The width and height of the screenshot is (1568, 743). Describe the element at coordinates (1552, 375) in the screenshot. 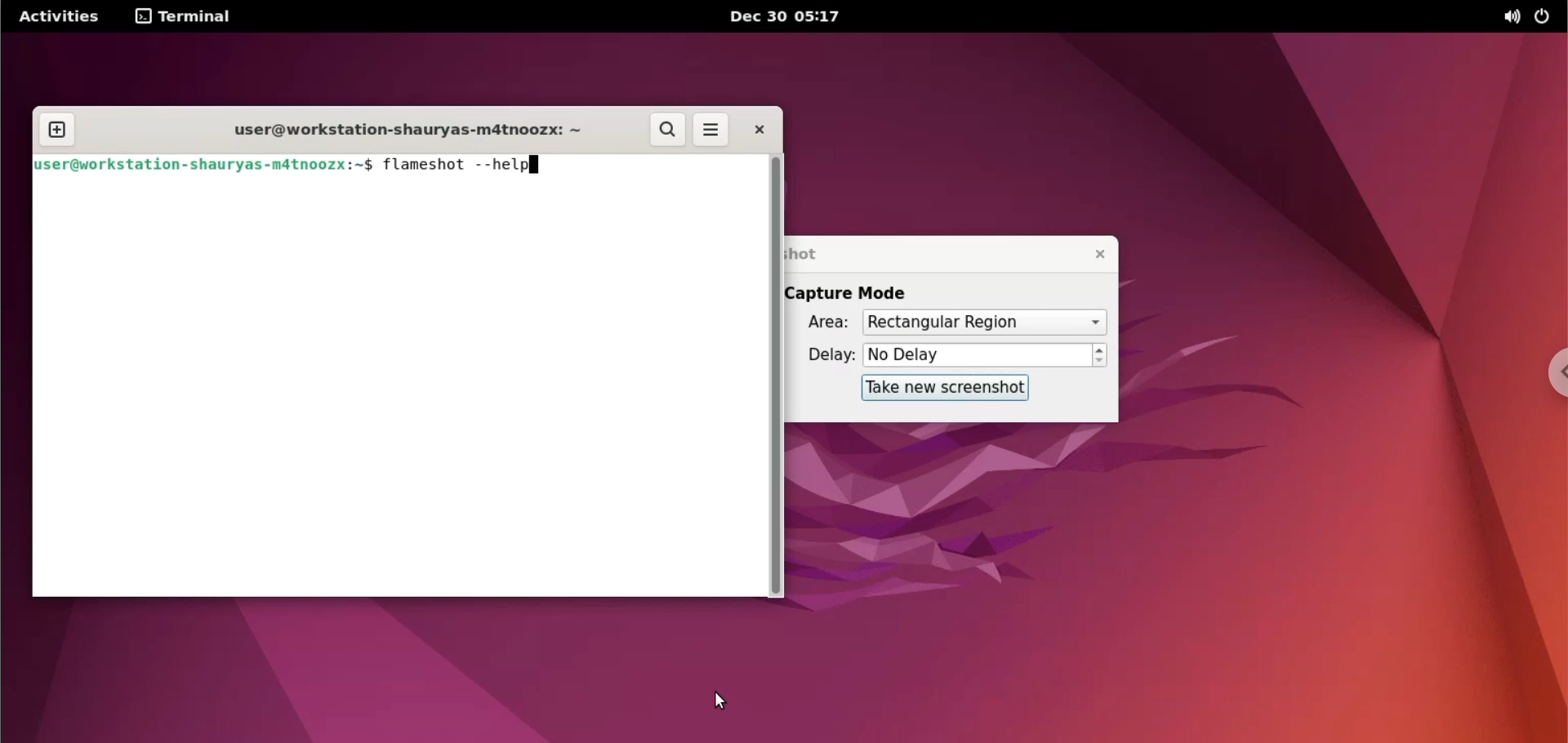

I see `chrome options` at that location.